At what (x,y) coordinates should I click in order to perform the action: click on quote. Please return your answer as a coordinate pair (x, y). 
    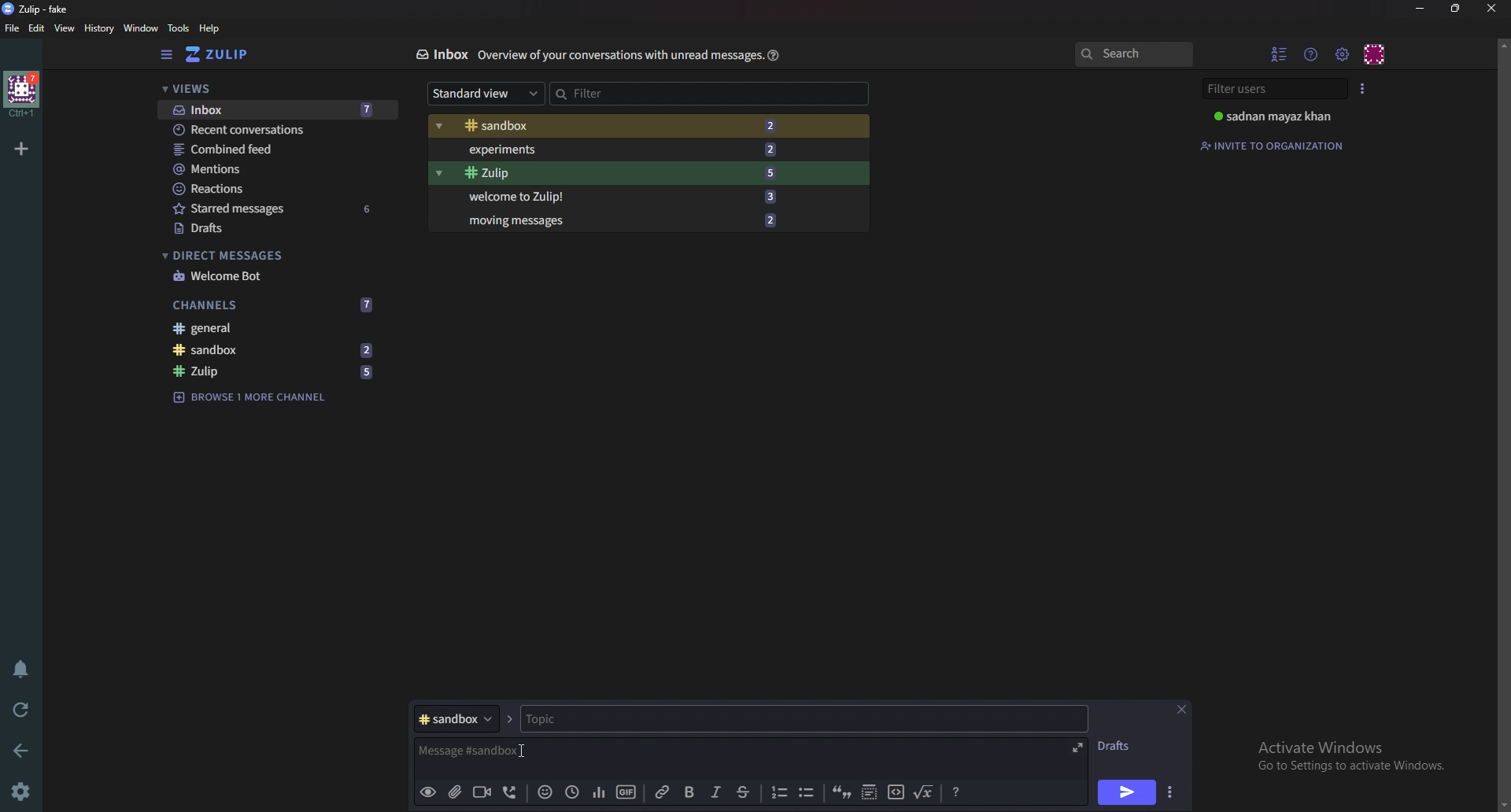
    Looking at the image, I should click on (843, 794).